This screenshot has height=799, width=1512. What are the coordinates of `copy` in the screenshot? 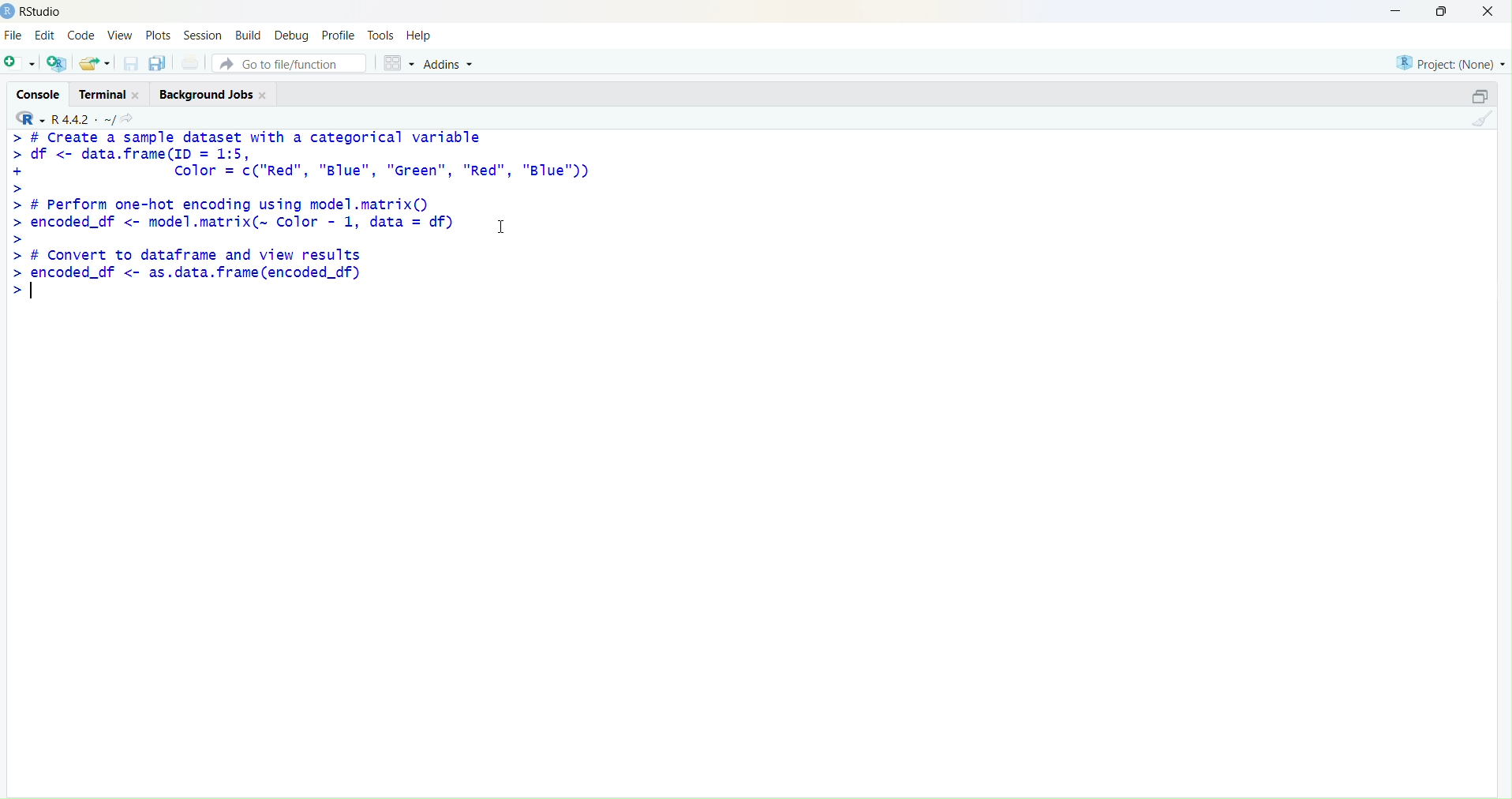 It's located at (158, 63).